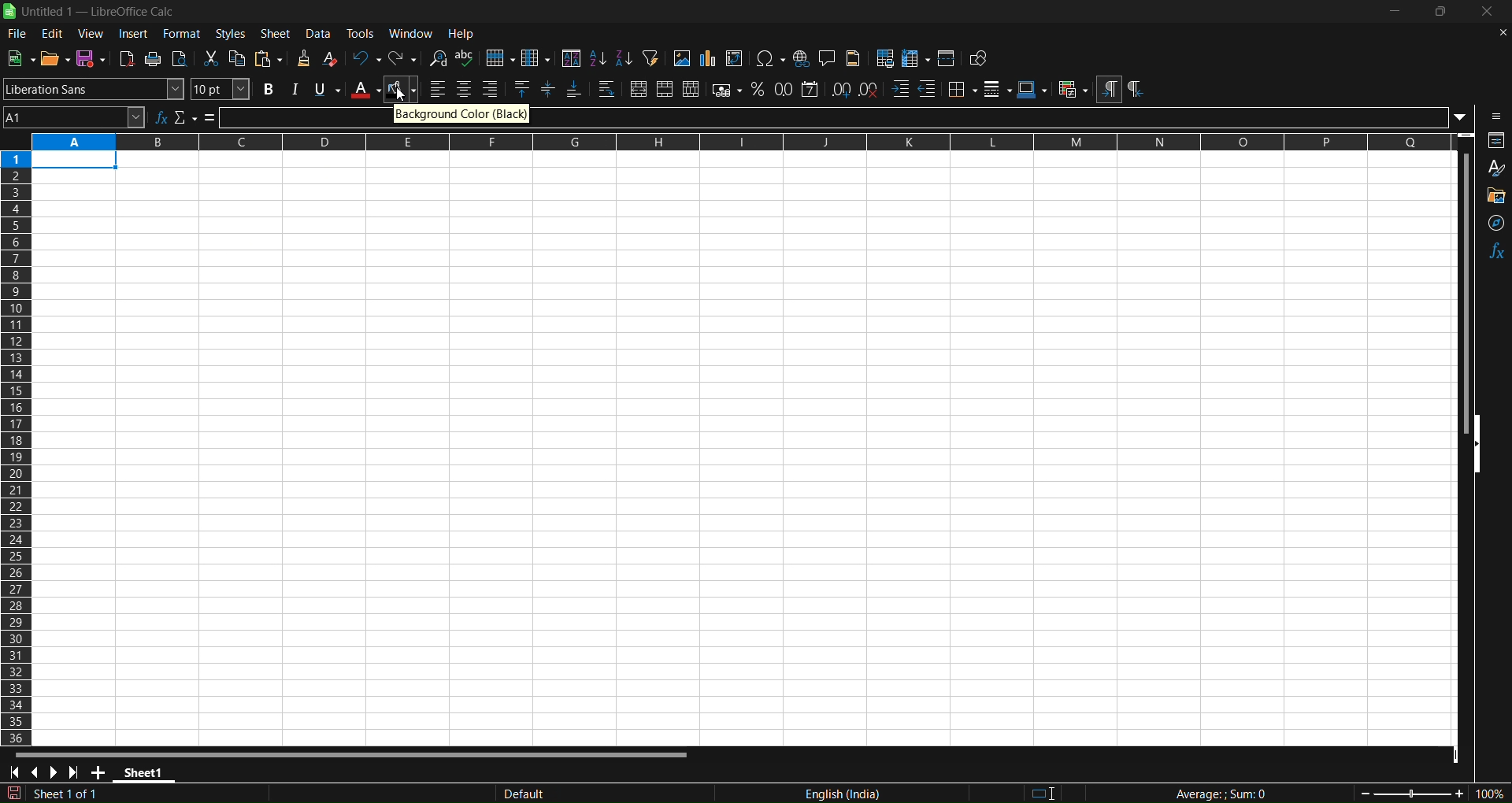 The image size is (1512, 803). What do you see at coordinates (1486, 11) in the screenshot?
I see `close` at bounding box center [1486, 11].